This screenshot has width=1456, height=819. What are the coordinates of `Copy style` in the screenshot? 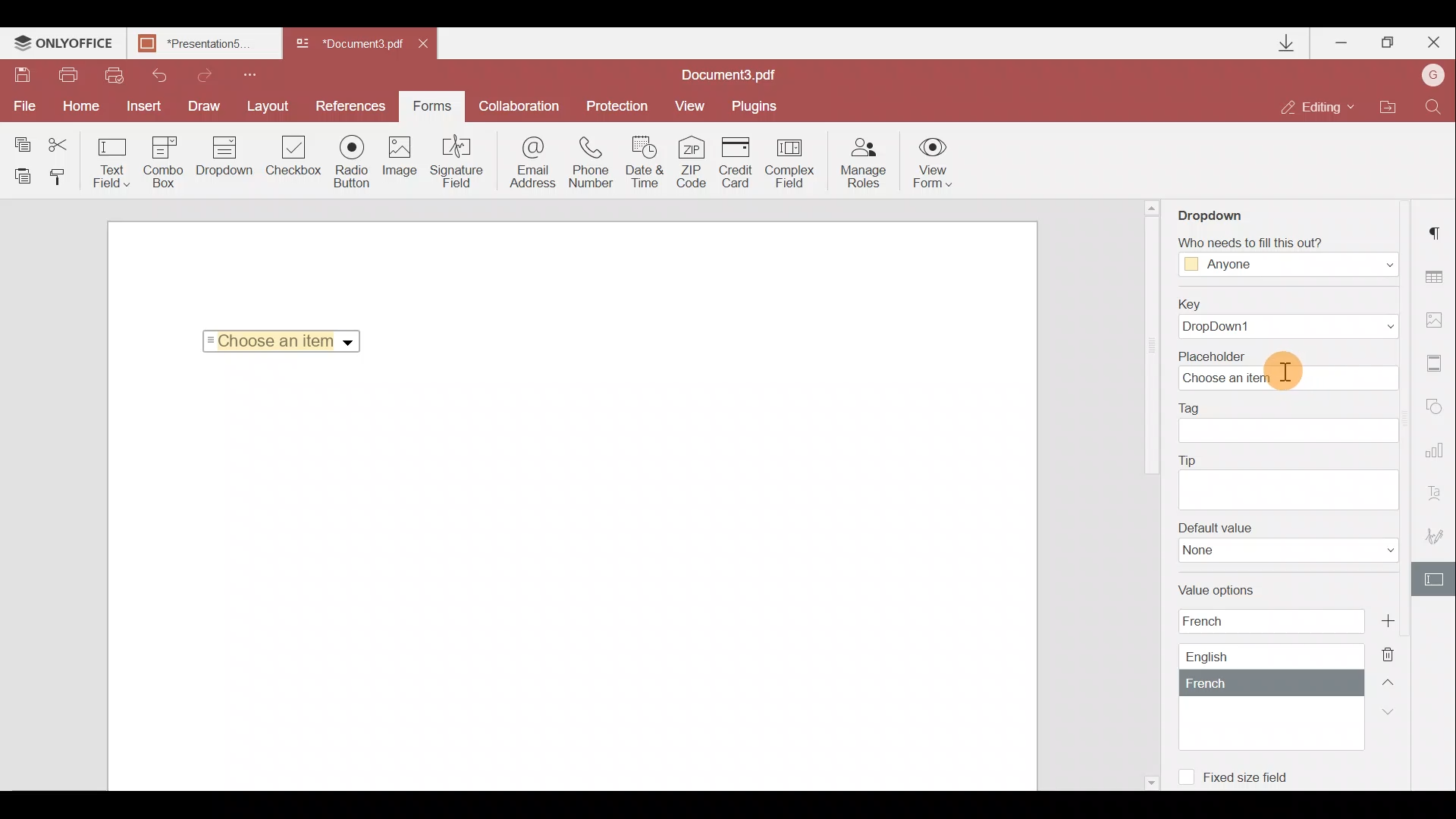 It's located at (62, 176).